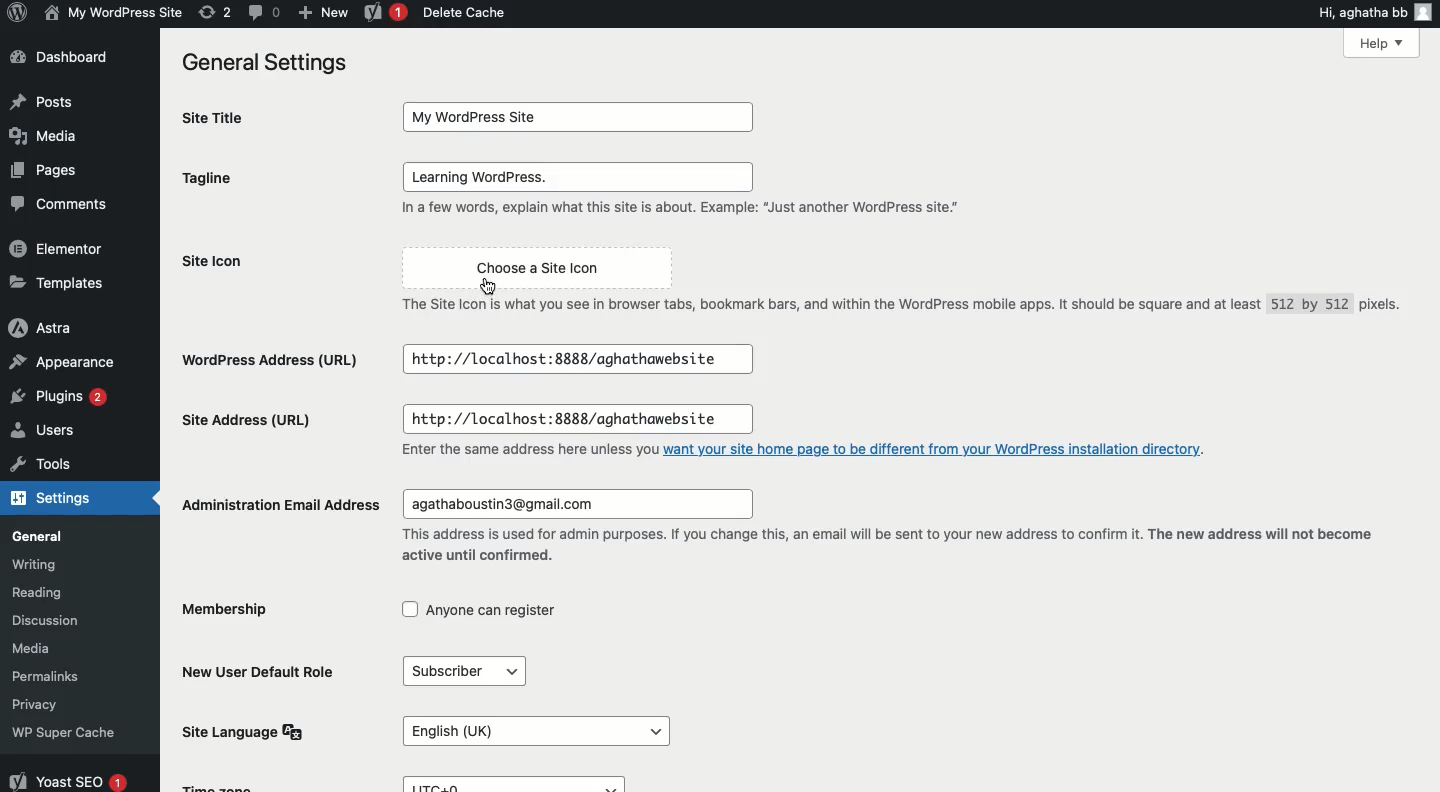 Image resolution: width=1440 pixels, height=792 pixels. What do you see at coordinates (39, 103) in the screenshot?
I see `Posts` at bounding box center [39, 103].